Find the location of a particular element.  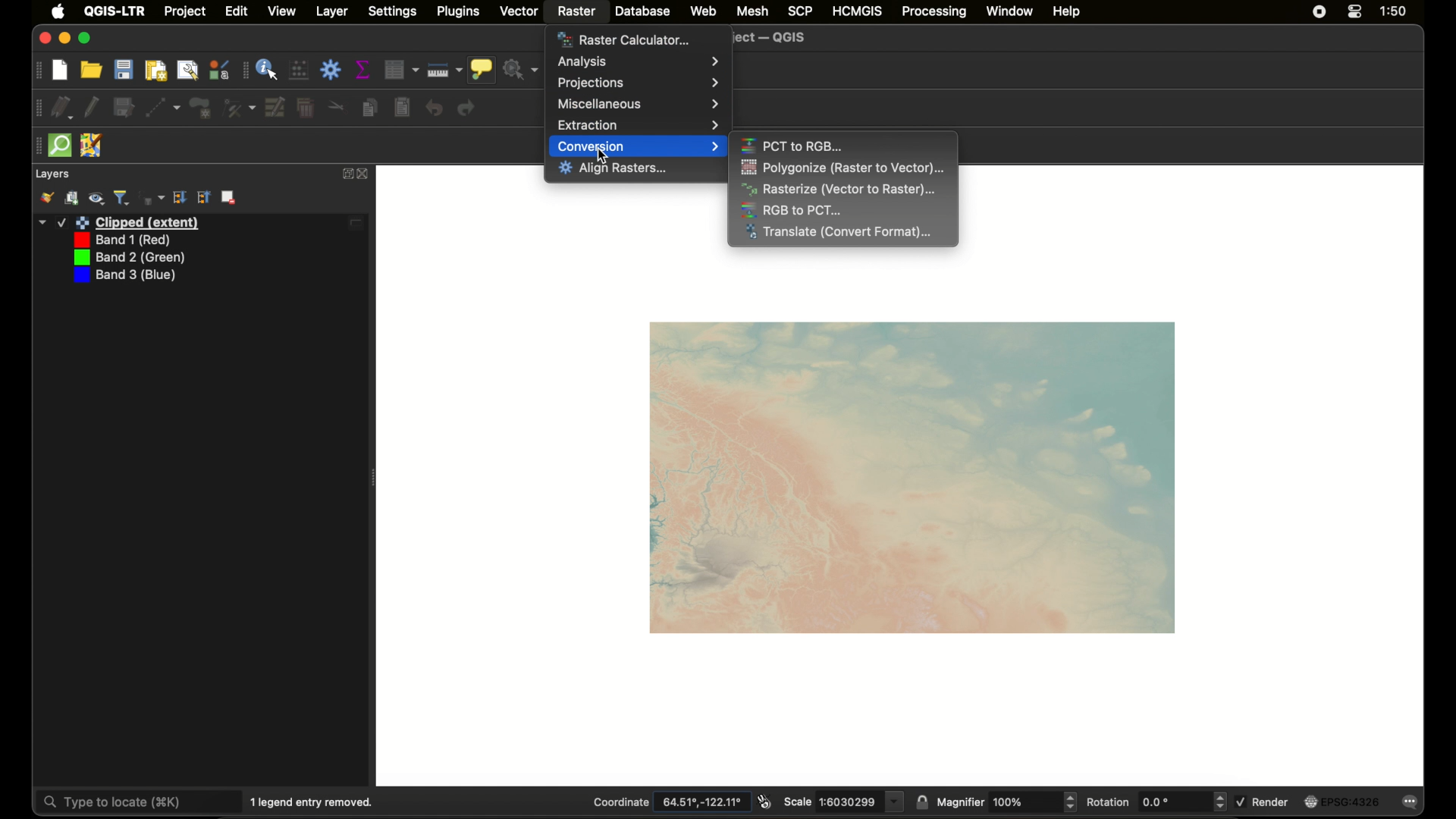

pct to rgb is located at coordinates (794, 145).